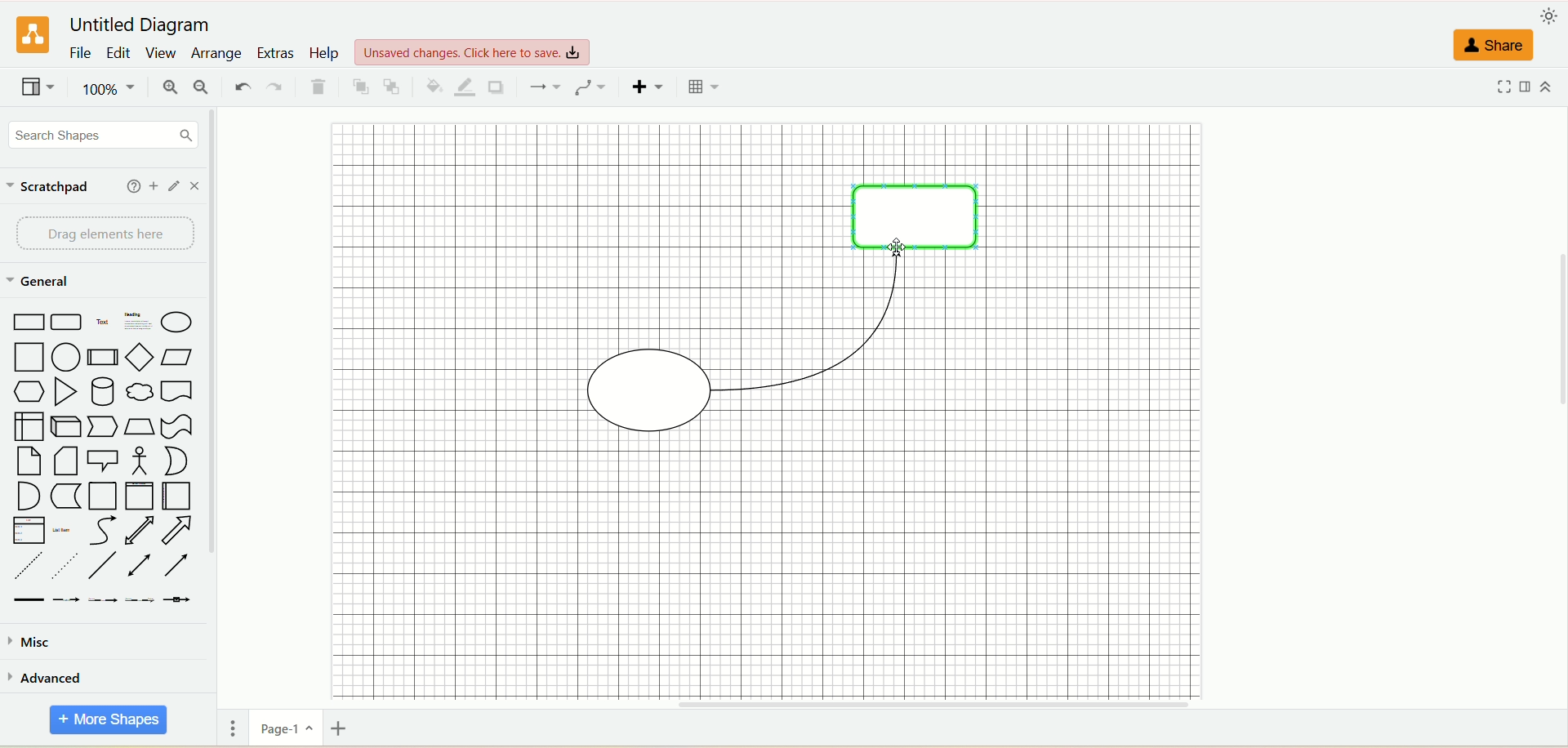  Describe the element at coordinates (175, 186) in the screenshot. I see `edit` at that location.